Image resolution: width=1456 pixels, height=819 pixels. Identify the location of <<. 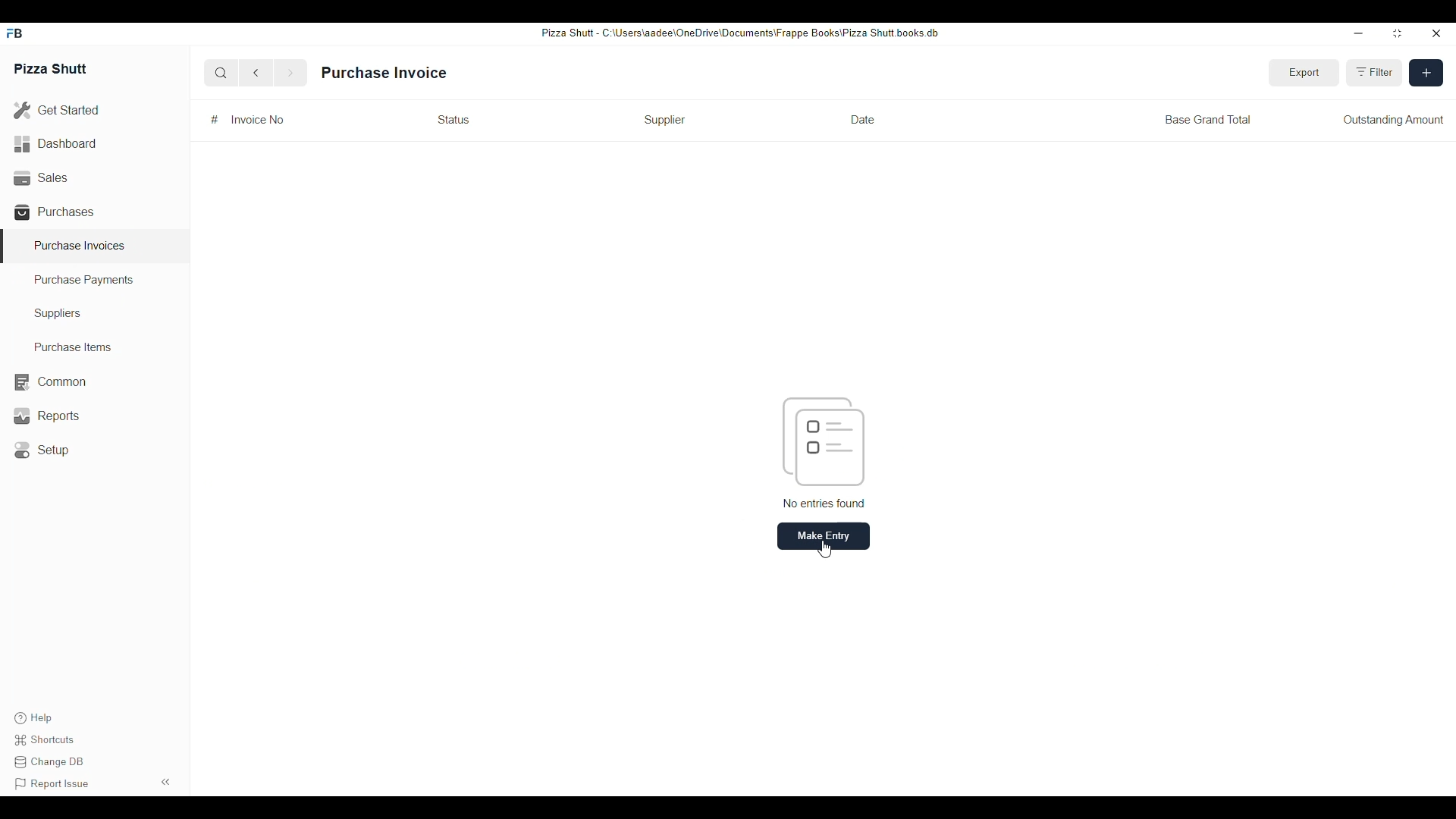
(167, 781).